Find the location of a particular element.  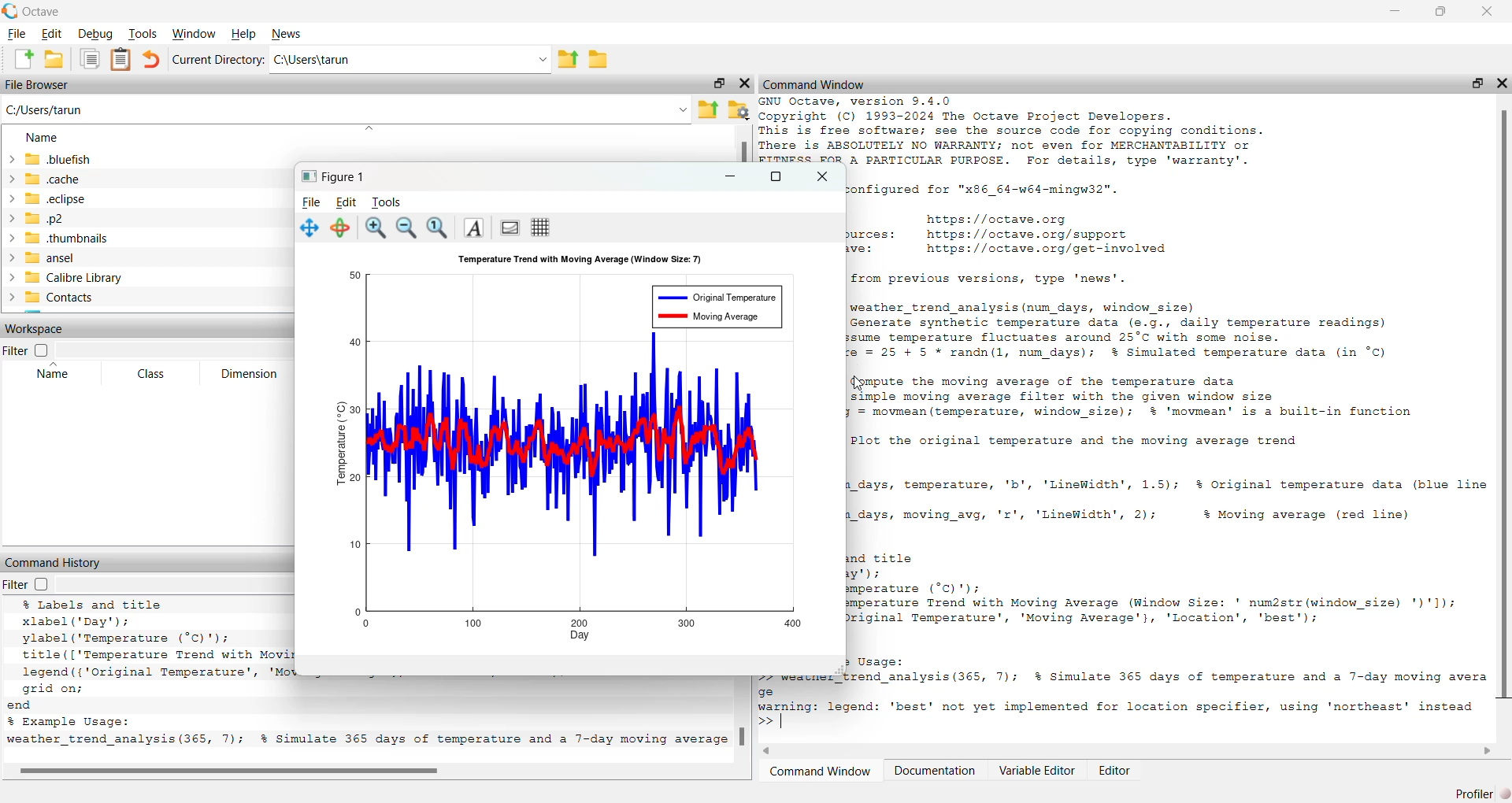

[Pry SmI SESRNEeent 3 STIF ME
Copyright (C) 1993-2024 The Octave Project Developers.

This is free software; see the source code for copying conditions.
ere is ABSOLUTELY NO WARRANTY; not even for MERCHANTABILITY or
FITNESS FOR A PARTICULAR PURPOSE. For details, type 'warranty’. is located at coordinates (1031, 131).